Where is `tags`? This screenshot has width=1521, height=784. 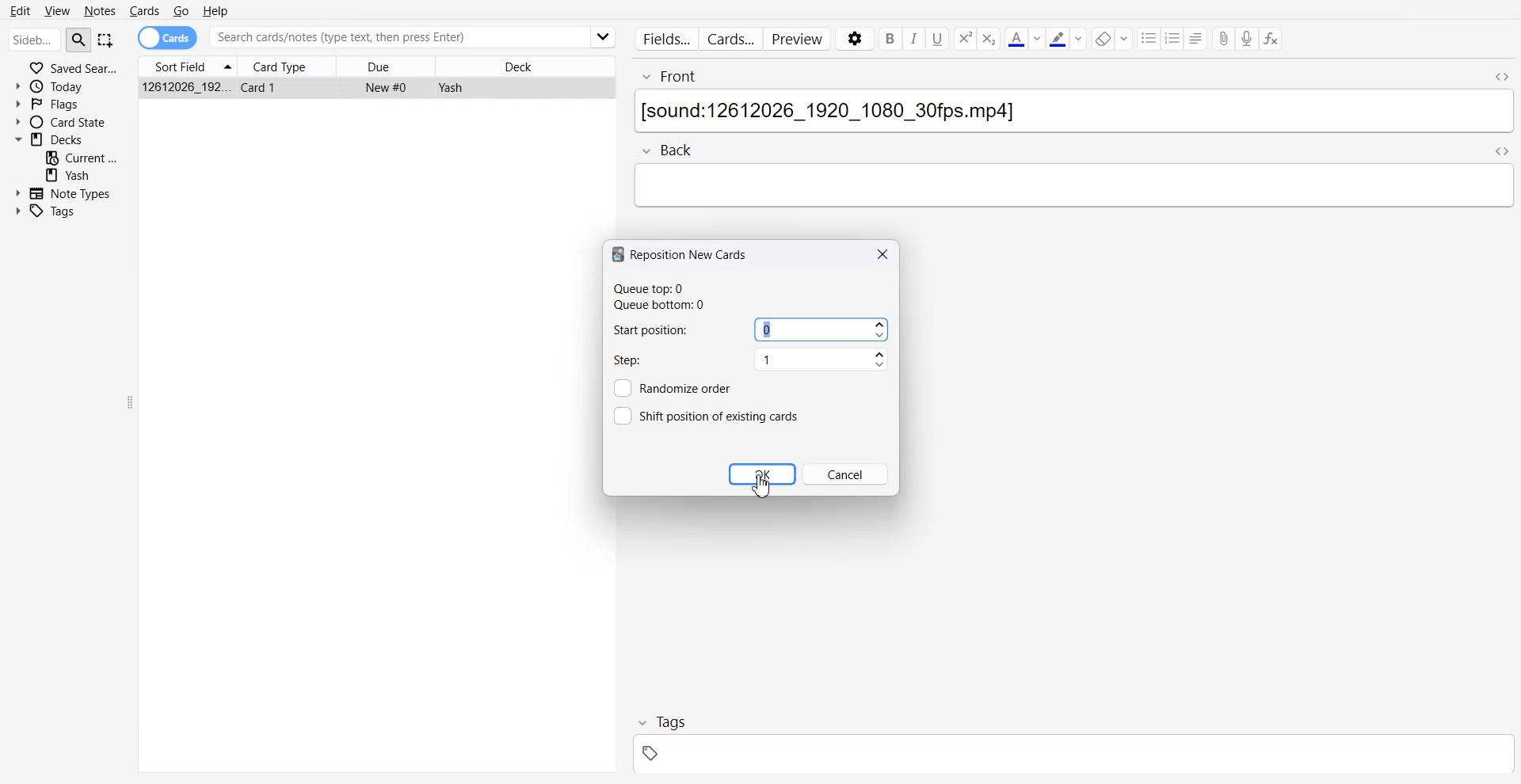
tags is located at coordinates (1072, 756).